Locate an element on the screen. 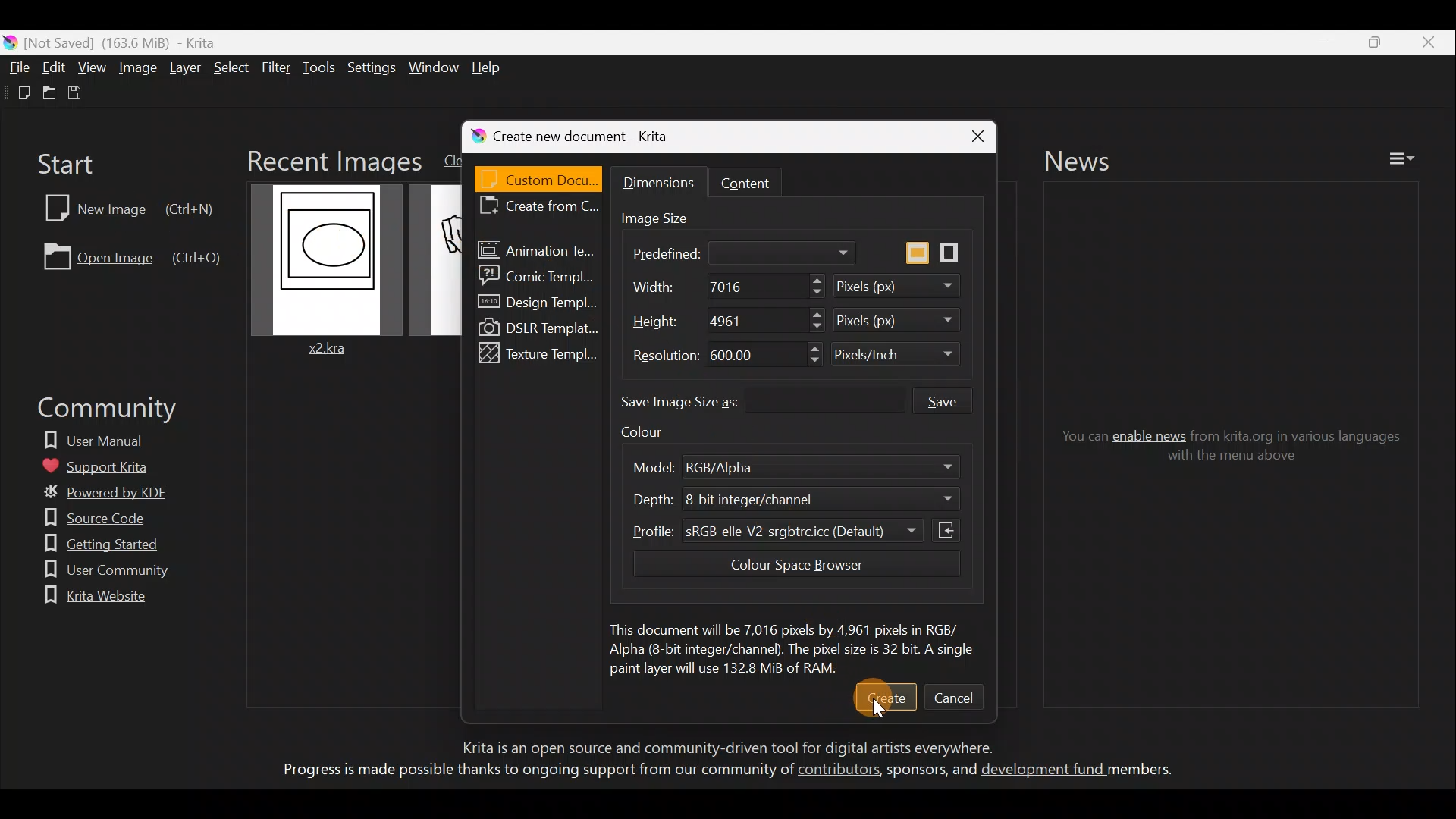  8-bit integer/channel is located at coordinates (761, 500).